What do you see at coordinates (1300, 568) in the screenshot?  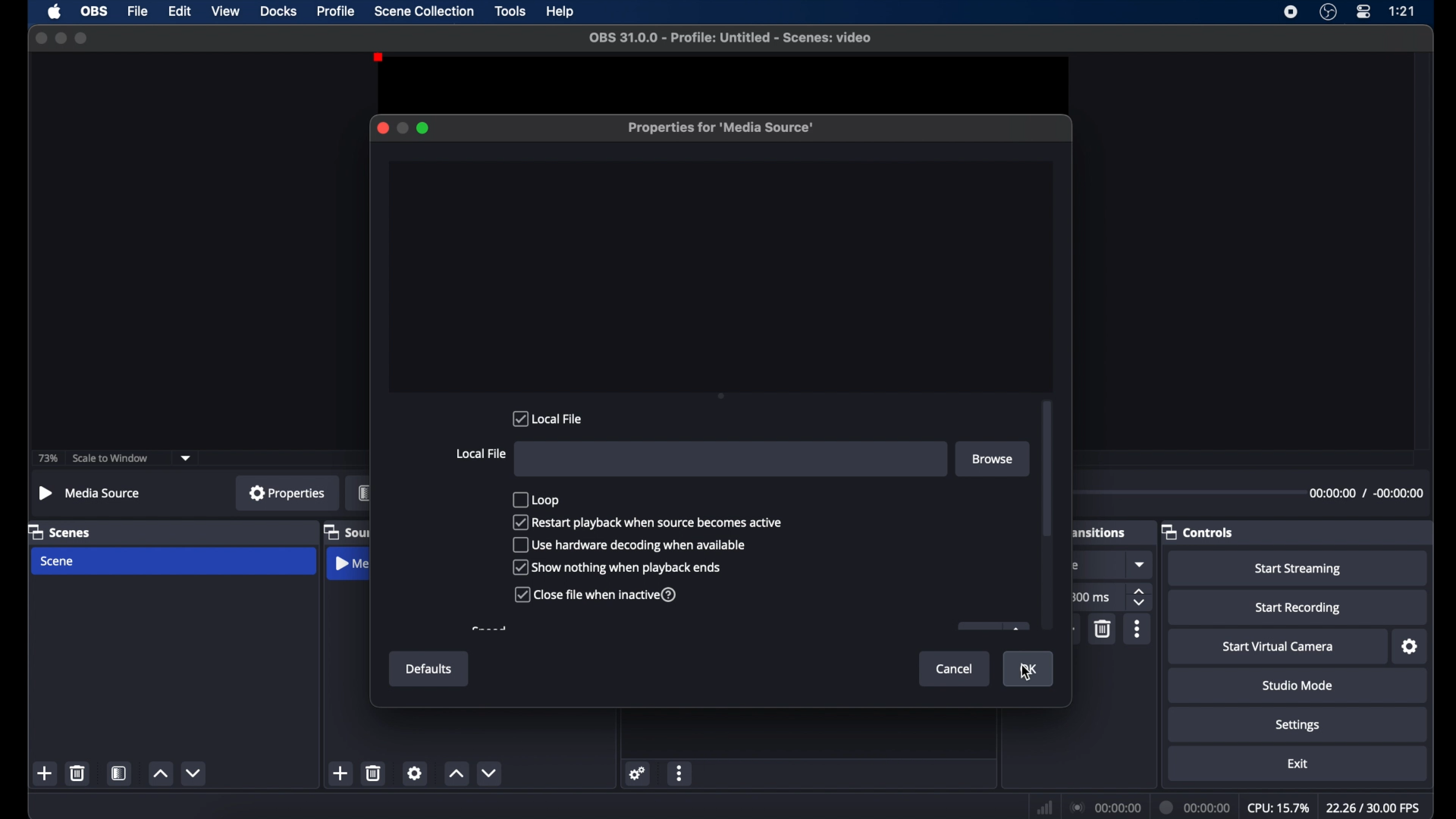 I see `start streaming` at bounding box center [1300, 568].